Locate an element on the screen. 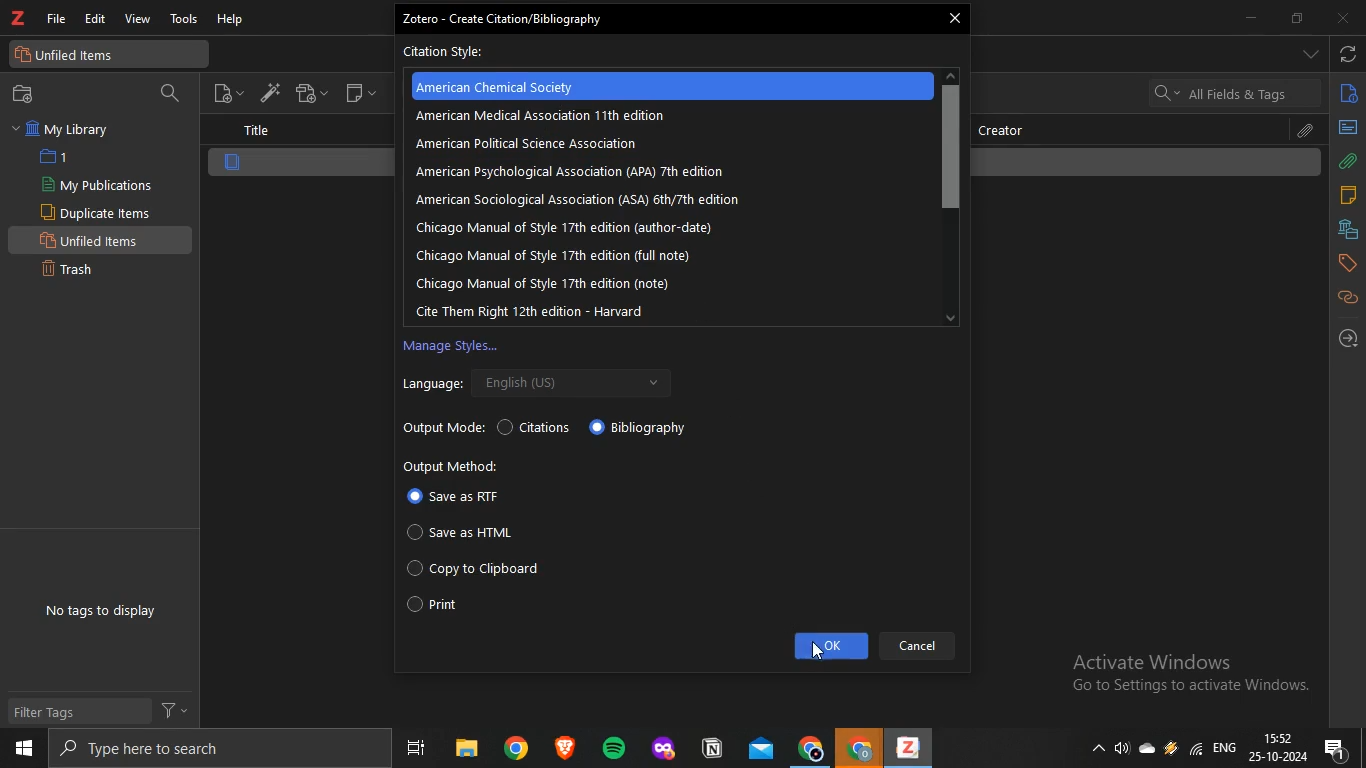 This screenshot has height=768, width=1366. Filter Tags is located at coordinates (78, 712).